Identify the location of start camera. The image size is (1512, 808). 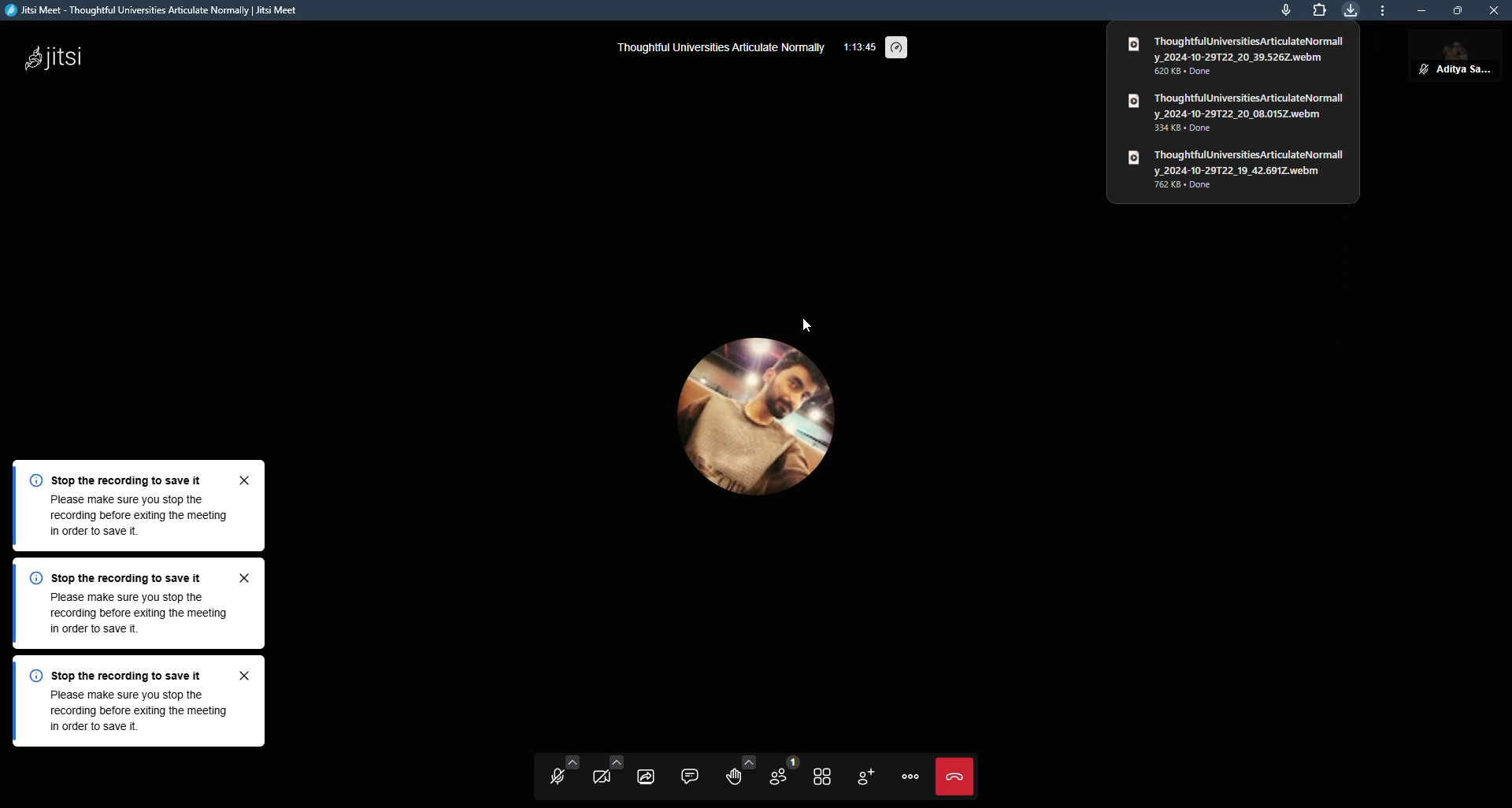
(603, 772).